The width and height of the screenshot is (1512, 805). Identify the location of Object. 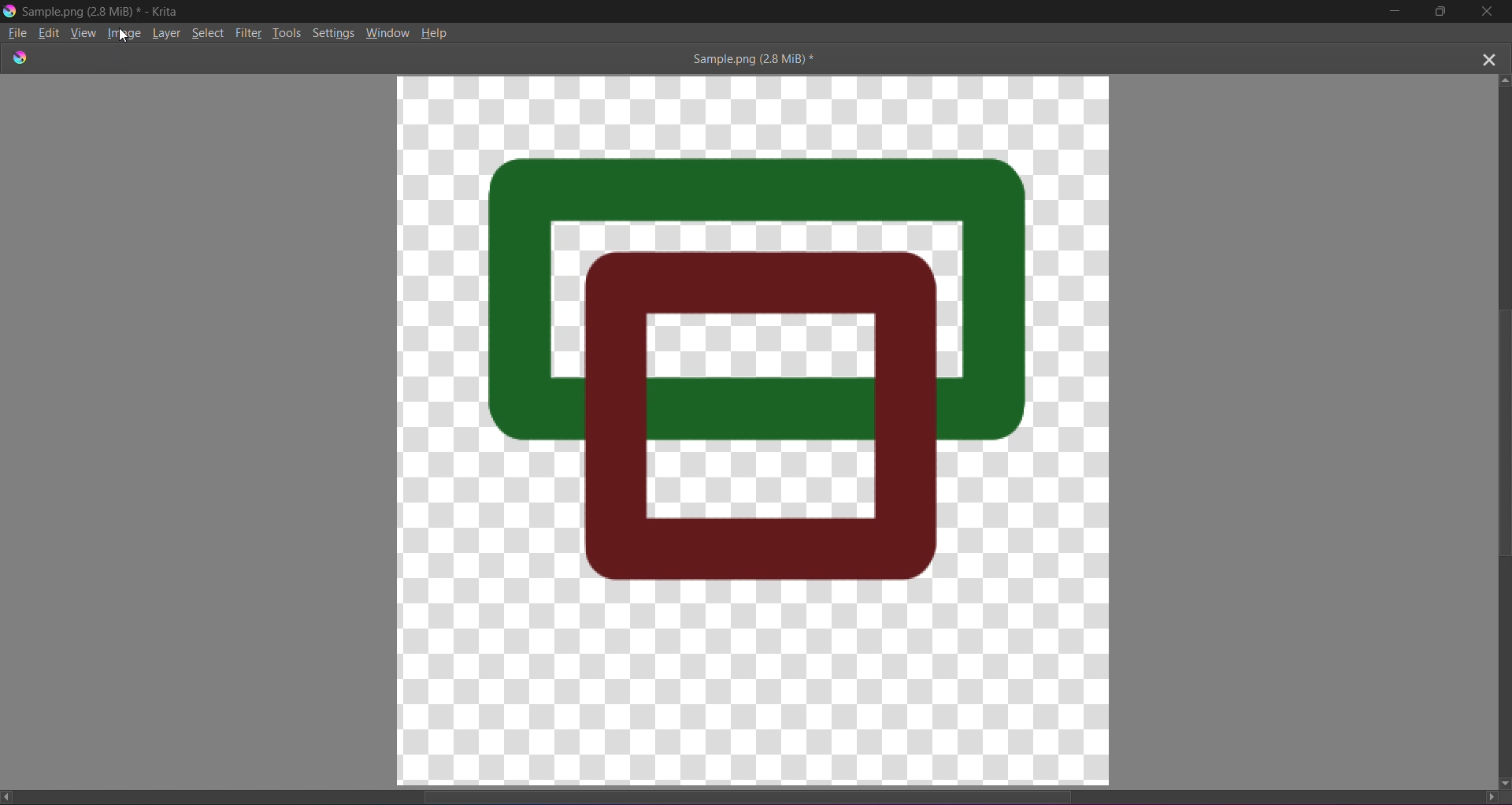
(765, 378).